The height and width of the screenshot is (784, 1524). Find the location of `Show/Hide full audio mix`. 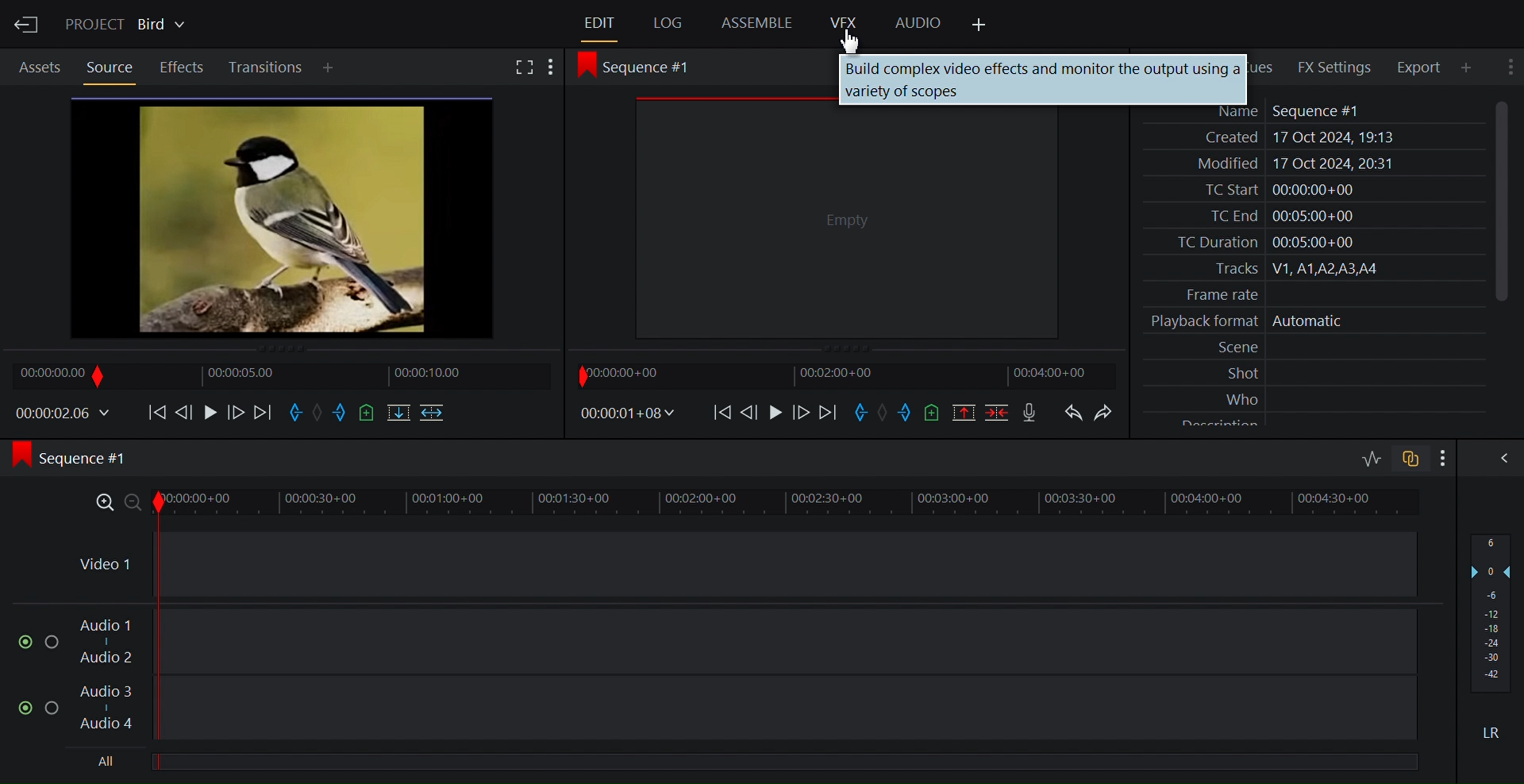

Show/Hide full audio mix is located at coordinates (1499, 459).